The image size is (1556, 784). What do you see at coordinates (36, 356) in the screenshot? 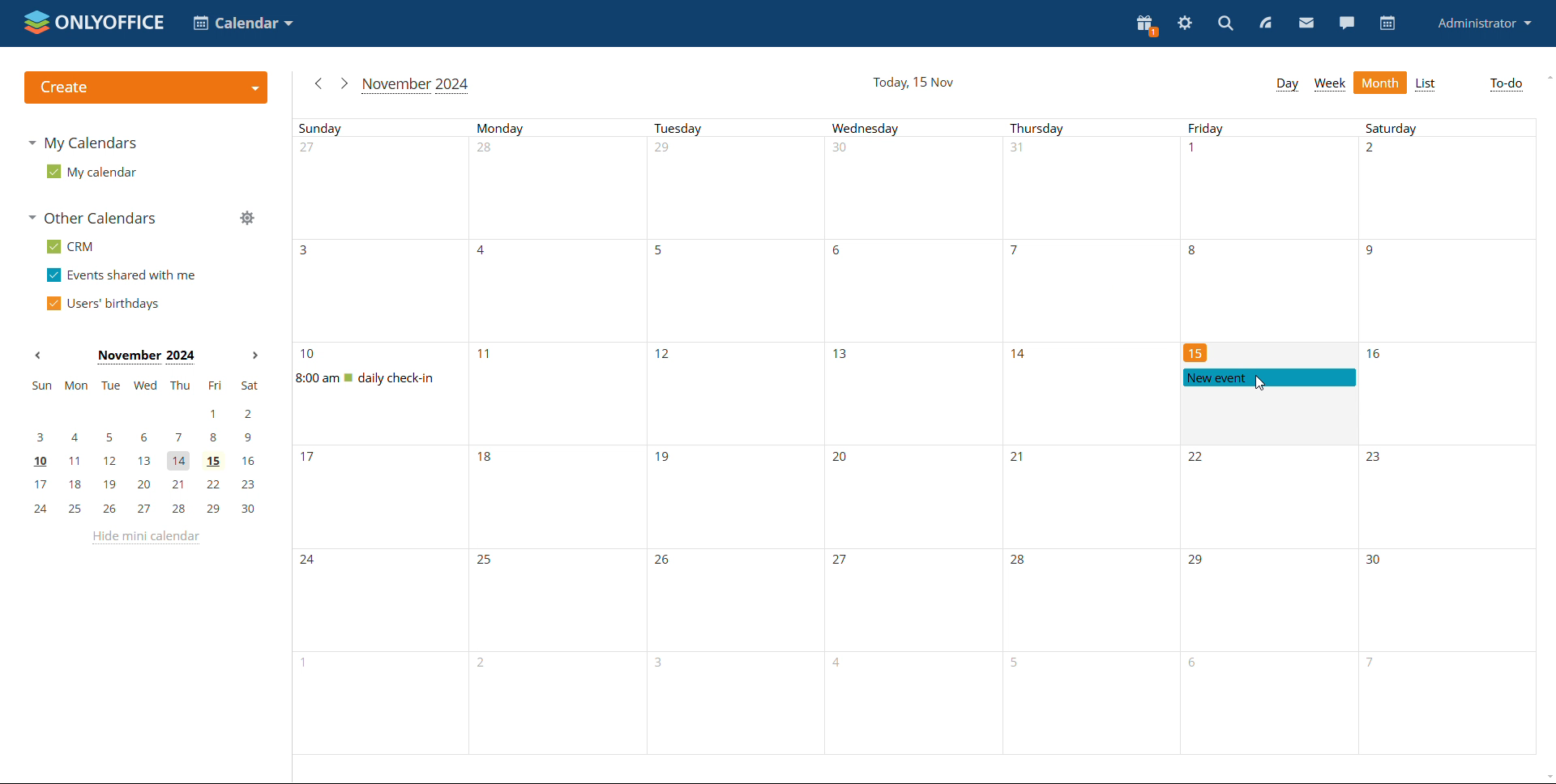
I see `previous month` at bounding box center [36, 356].